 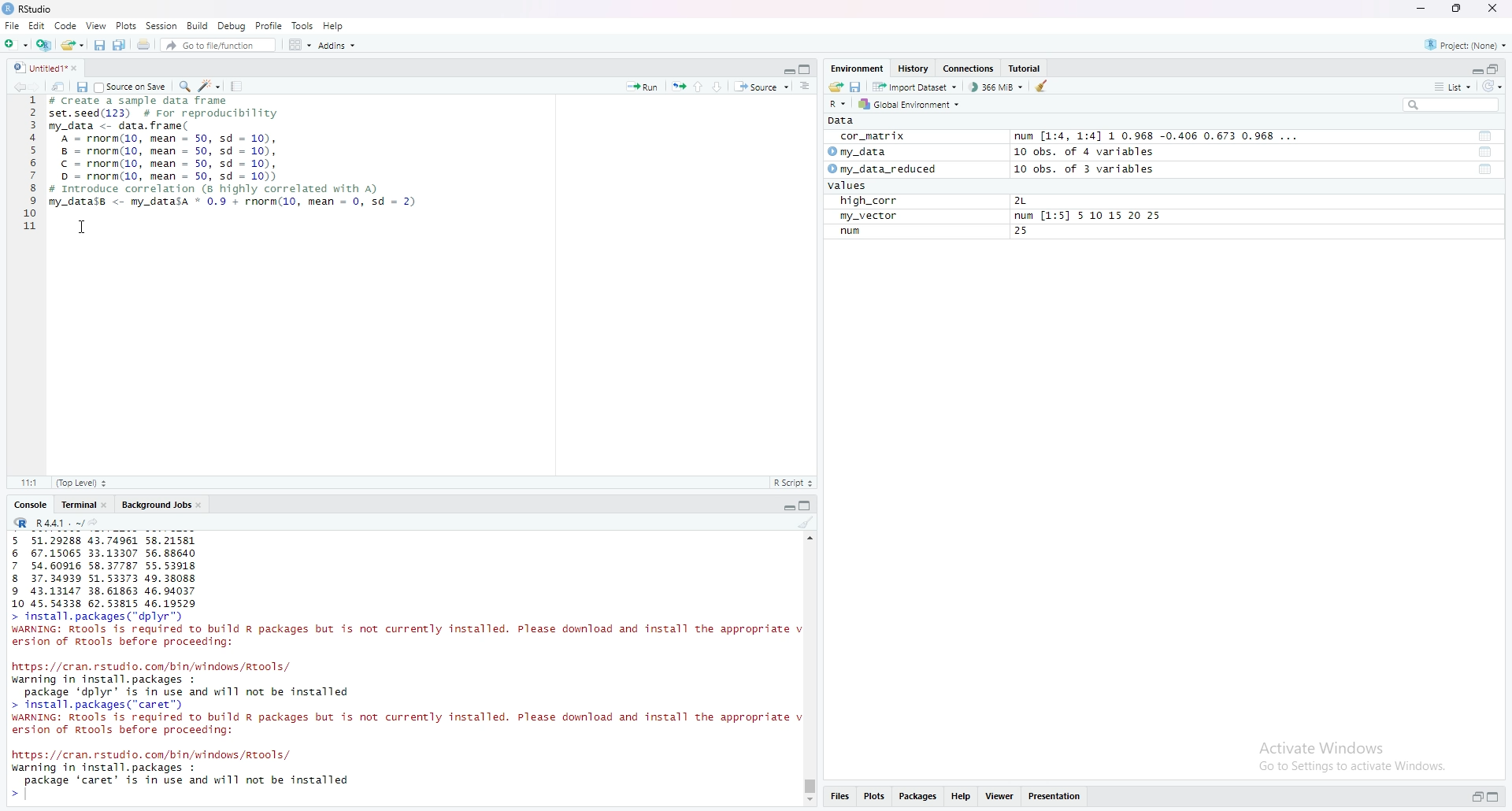 What do you see at coordinates (1043, 86) in the screenshot?
I see `clean` at bounding box center [1043, 86].